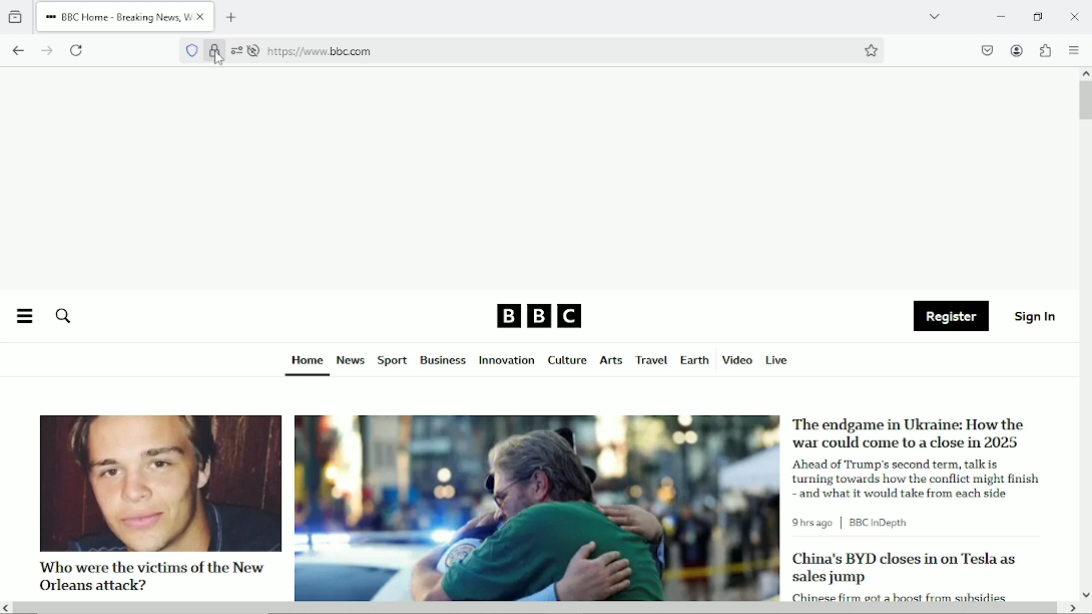  Describe the element at coordinates (854, 523) in the screenshot. I see `9 hrs ago | BBC in Depth` at that location.